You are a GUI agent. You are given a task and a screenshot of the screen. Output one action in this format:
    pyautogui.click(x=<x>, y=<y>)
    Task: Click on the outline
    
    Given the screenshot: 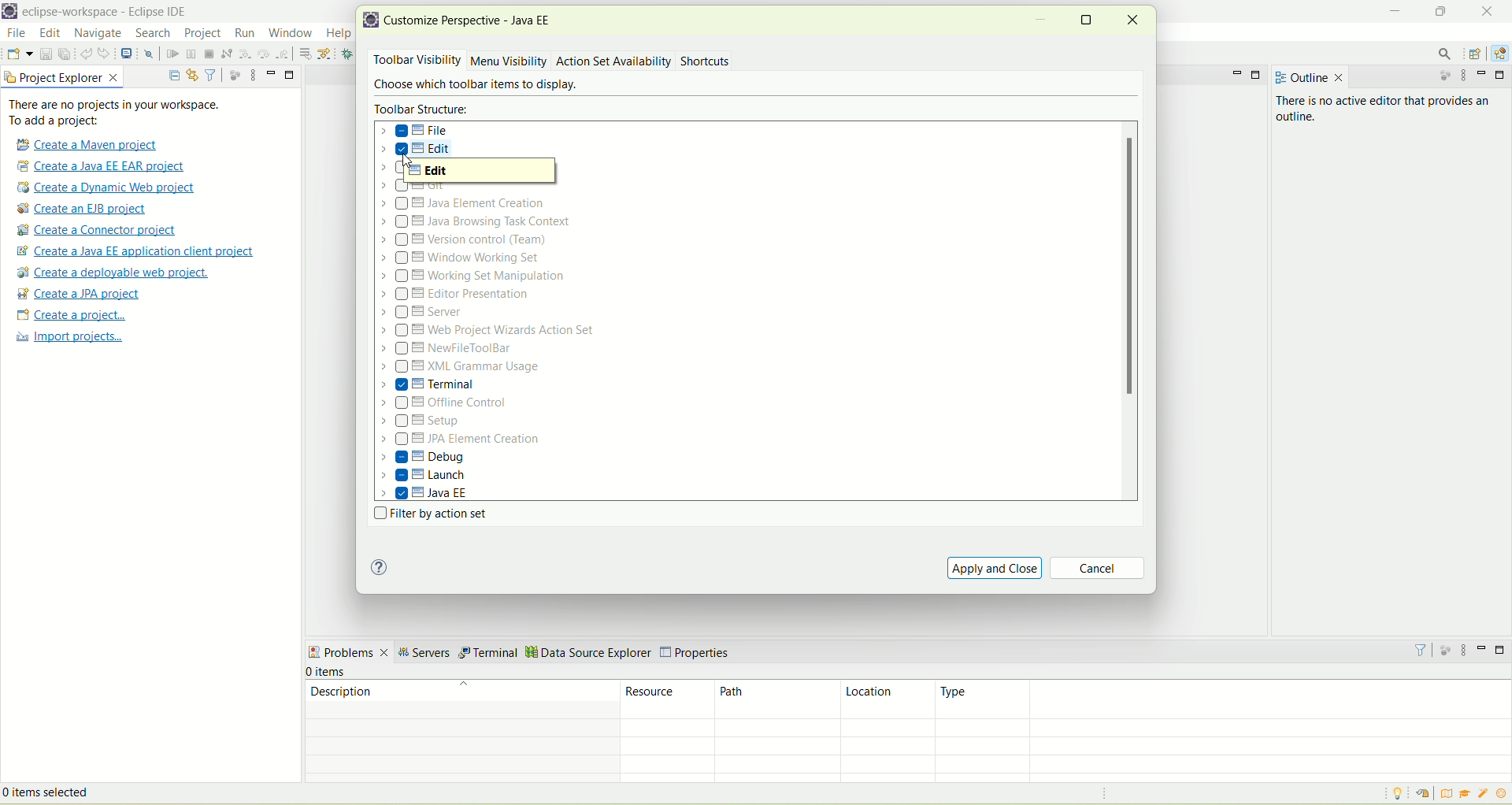 What is the action you would take?
    pyautogui.click(x=1306, y=75)
    